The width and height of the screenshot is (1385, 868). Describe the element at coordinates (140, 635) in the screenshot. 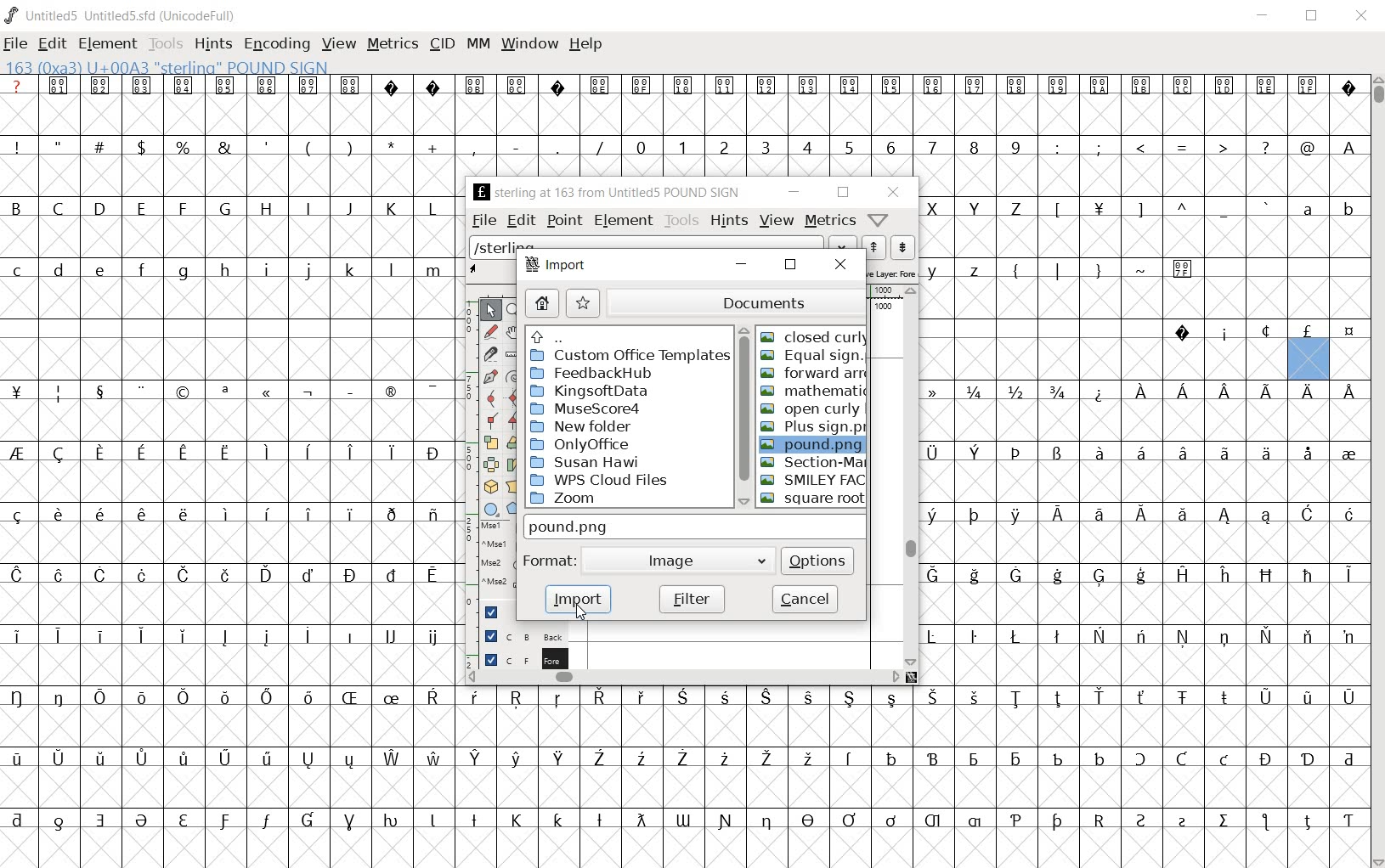

I see `Symbol` at that location.